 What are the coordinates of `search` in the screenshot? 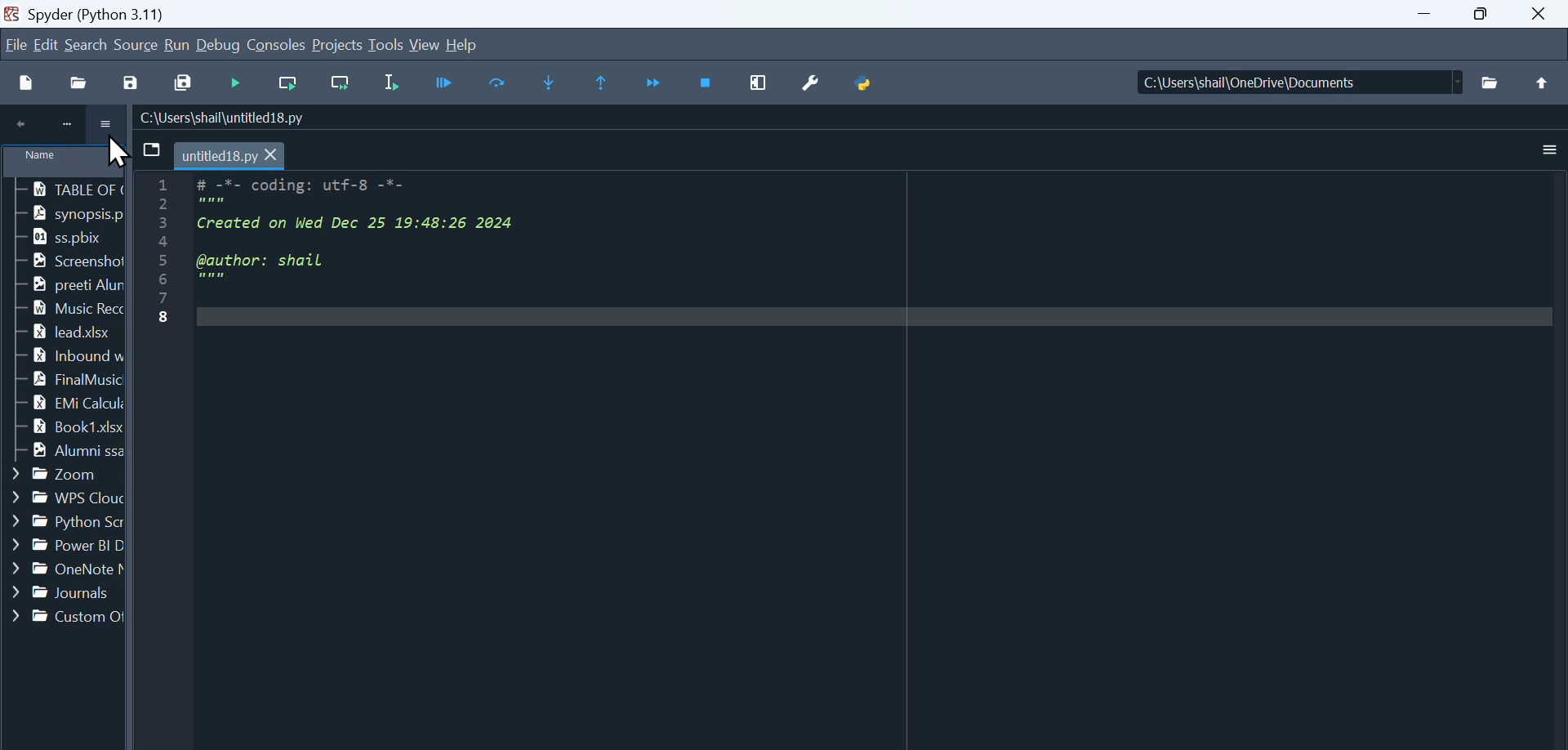 It's located at (87, 44).